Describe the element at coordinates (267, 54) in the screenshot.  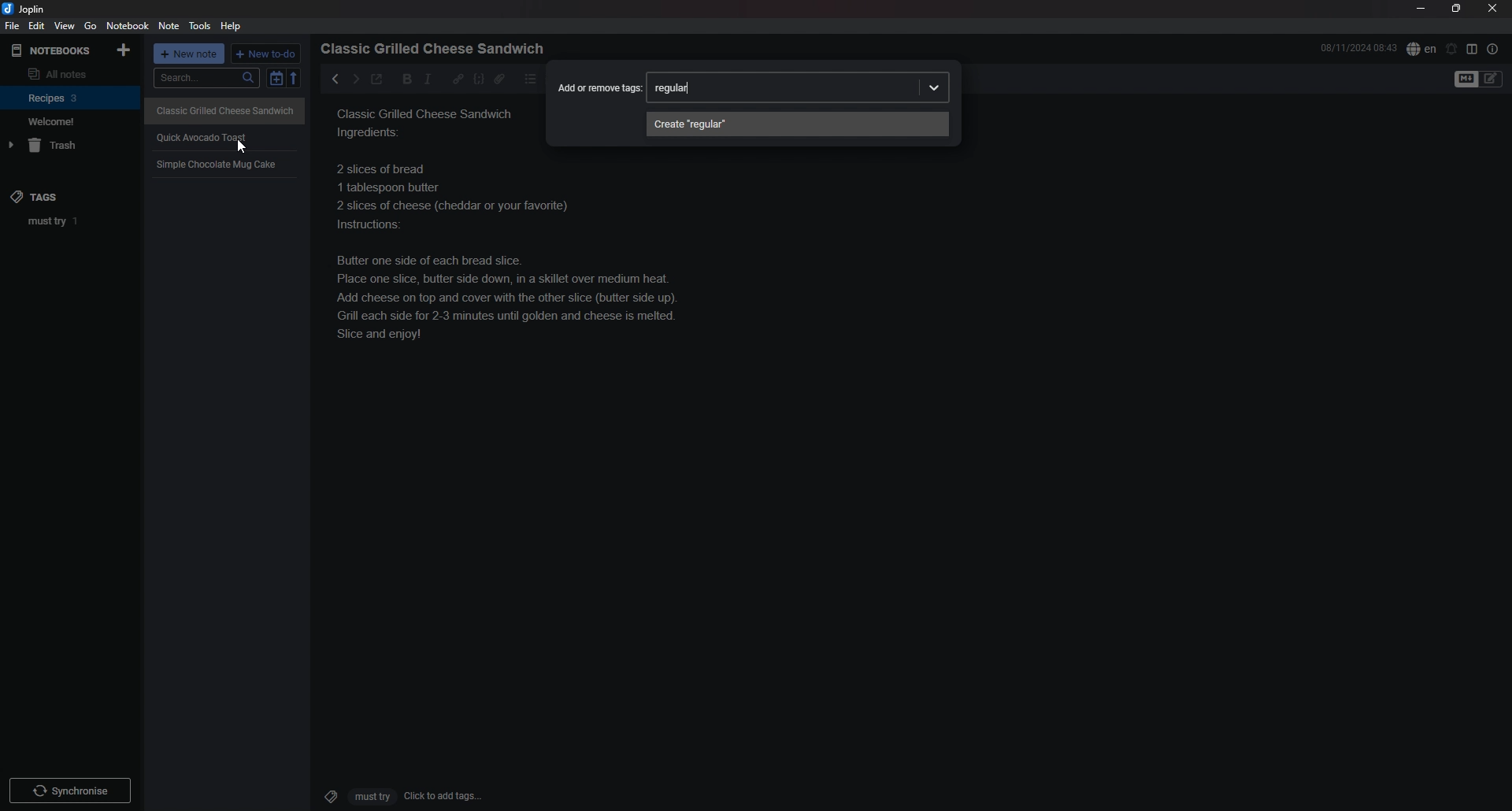
I see `new todo` at that location.